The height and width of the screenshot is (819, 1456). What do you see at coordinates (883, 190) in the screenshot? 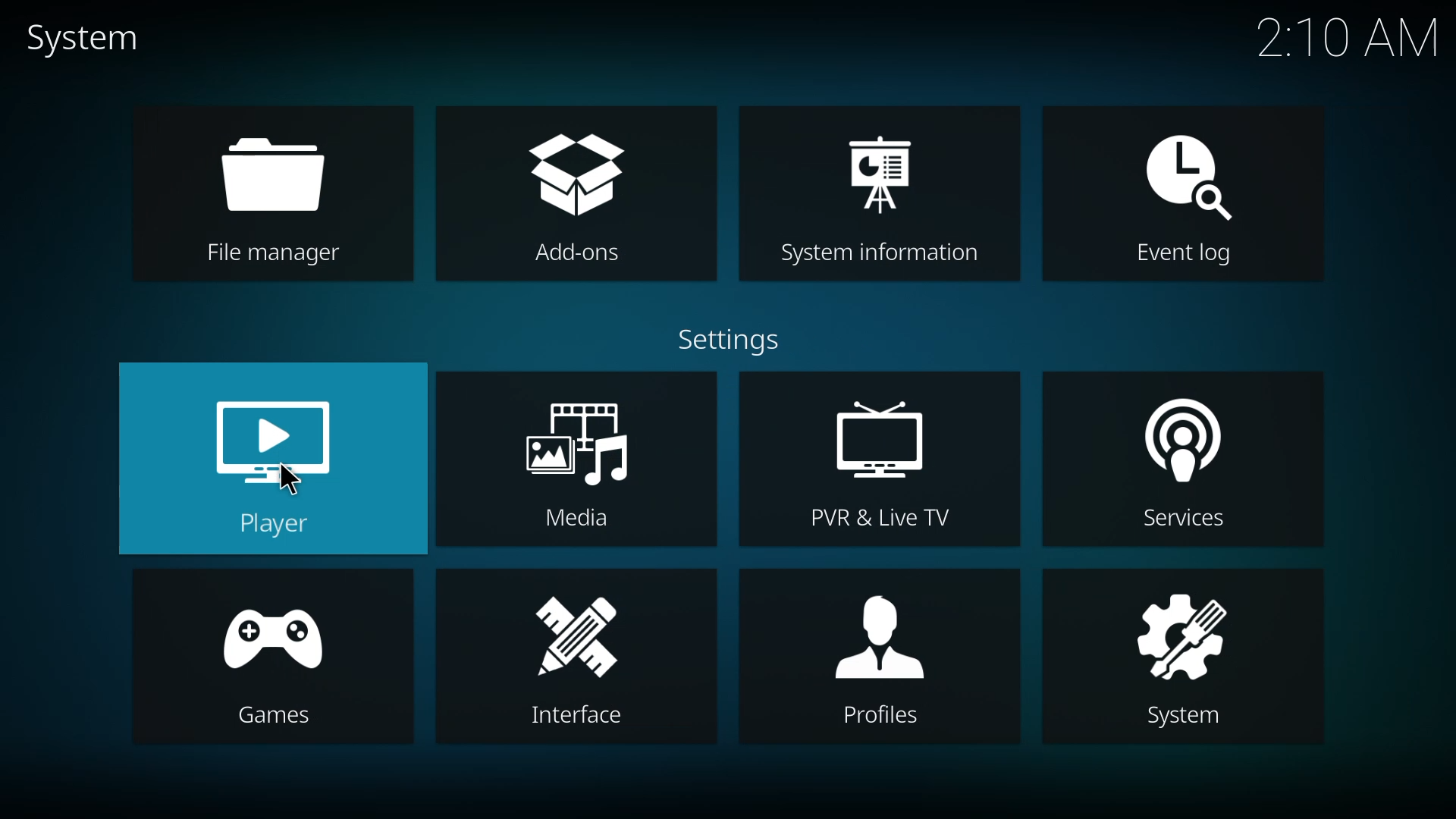
I see `system information` at bounding box center [883, 190].